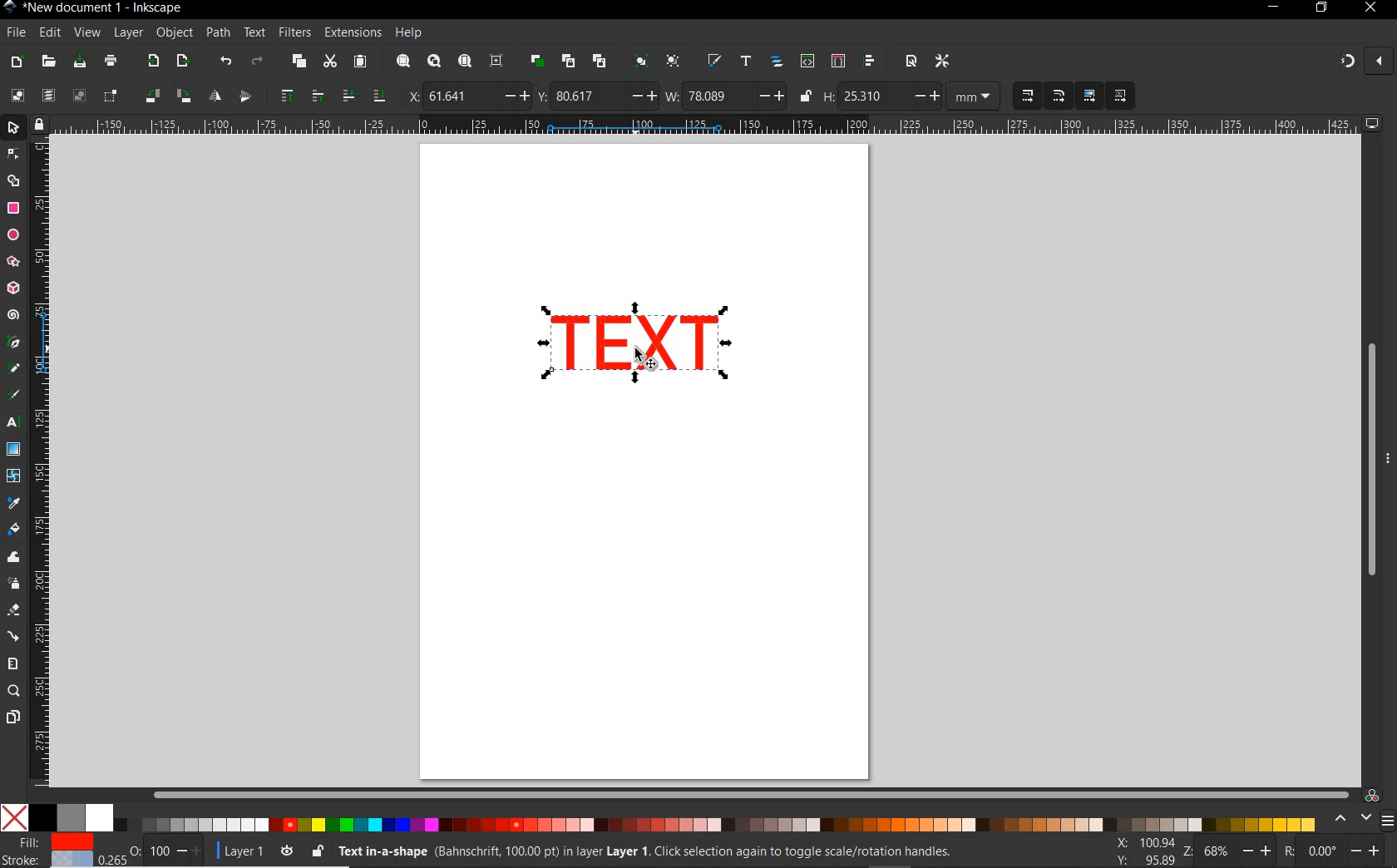  Describe the element at coordinates (15, 369) in the screenshot. I see `pencil tool` at that location.